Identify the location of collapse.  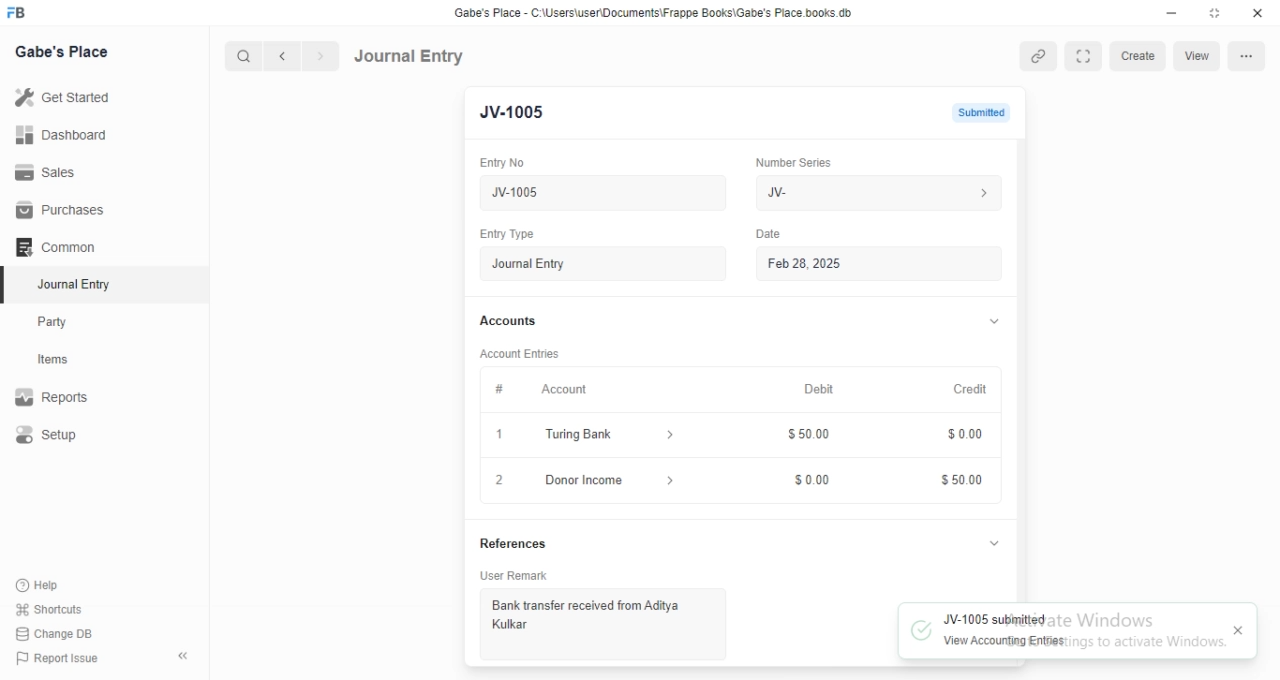
(995, 542).